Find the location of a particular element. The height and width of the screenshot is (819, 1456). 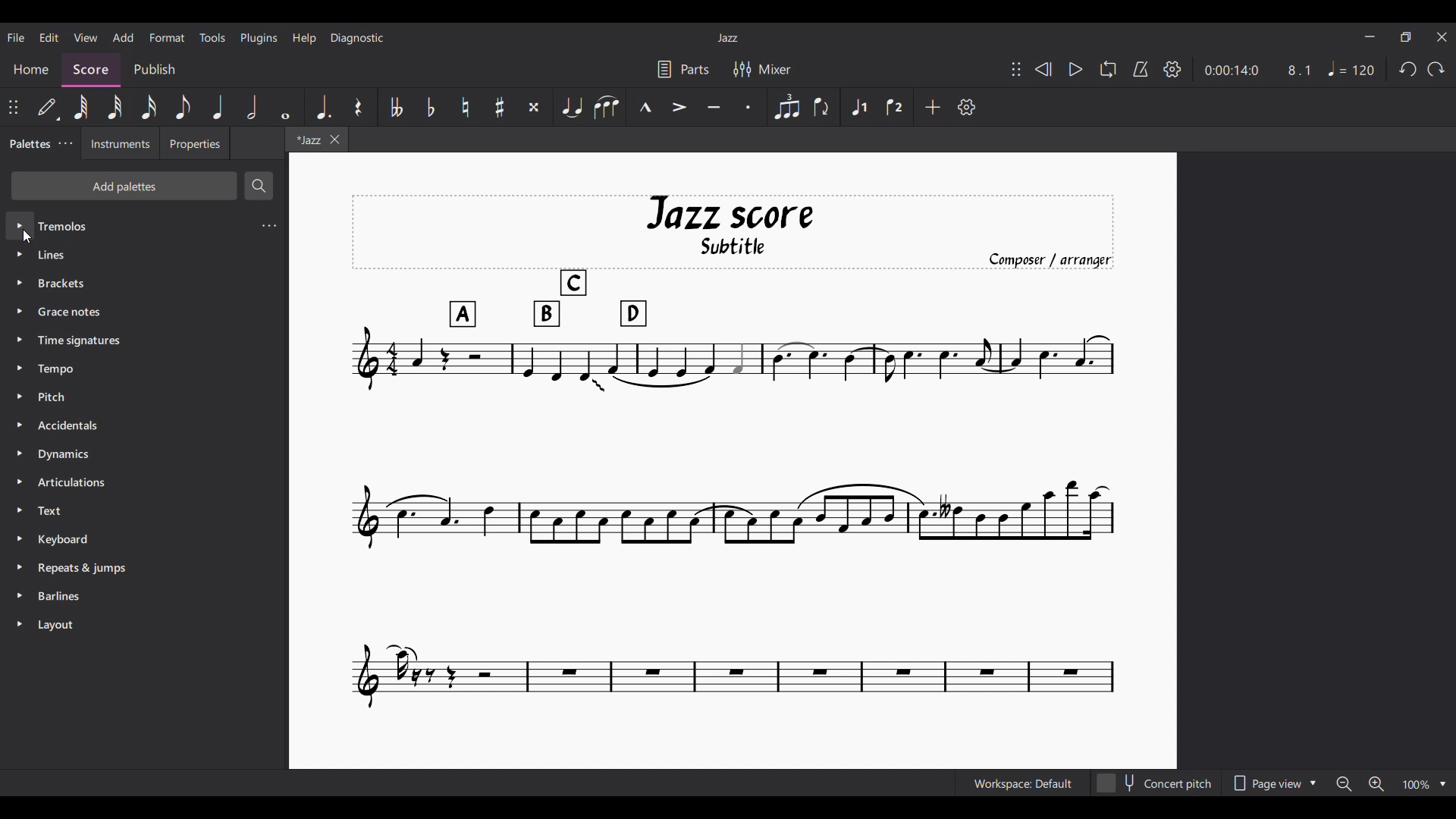

Accidentals is located at coordinates (144, 425).